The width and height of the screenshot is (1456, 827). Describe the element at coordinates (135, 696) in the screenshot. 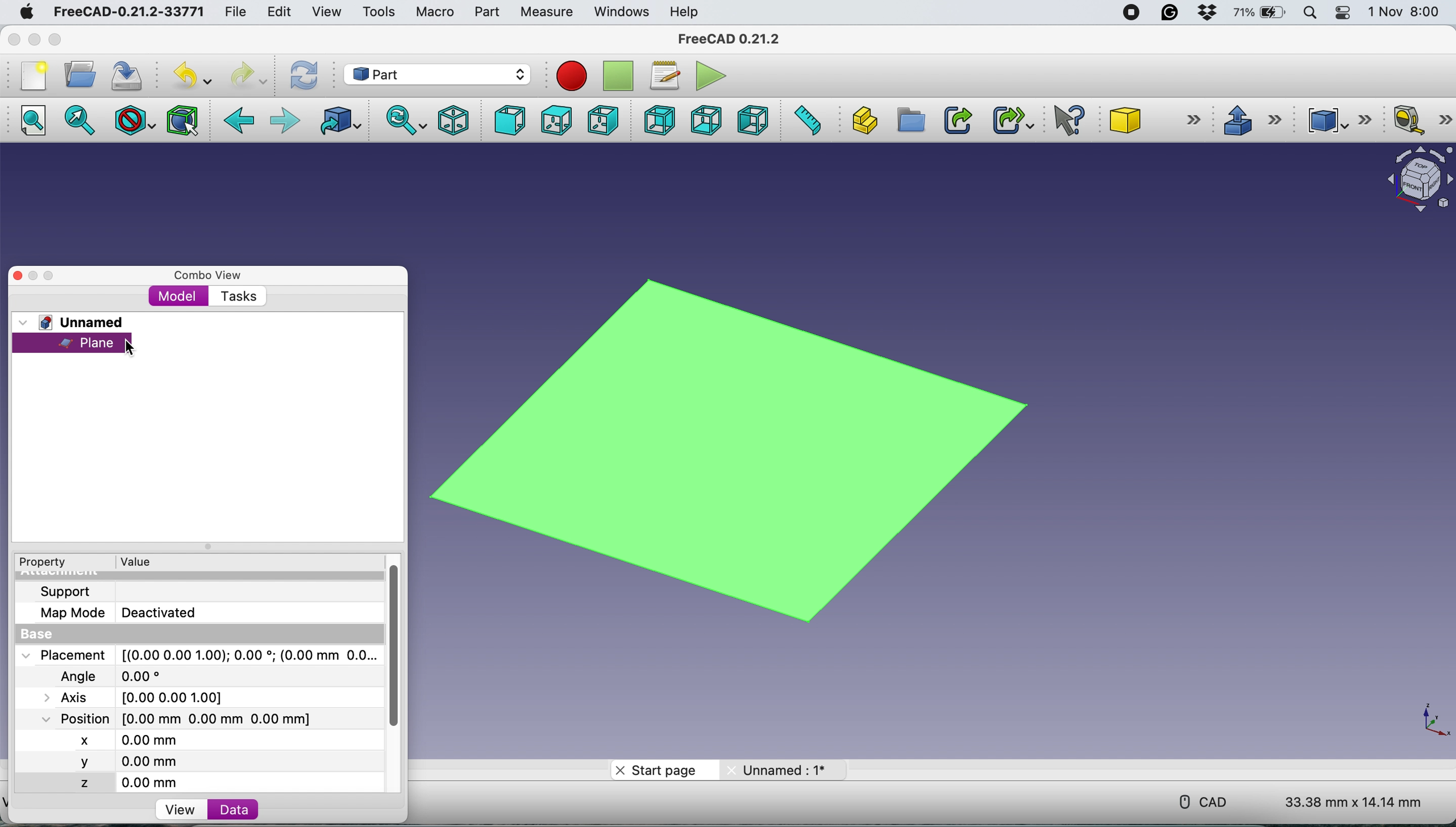

I see `Axis [0.00 0.00 1.00]` at that location.